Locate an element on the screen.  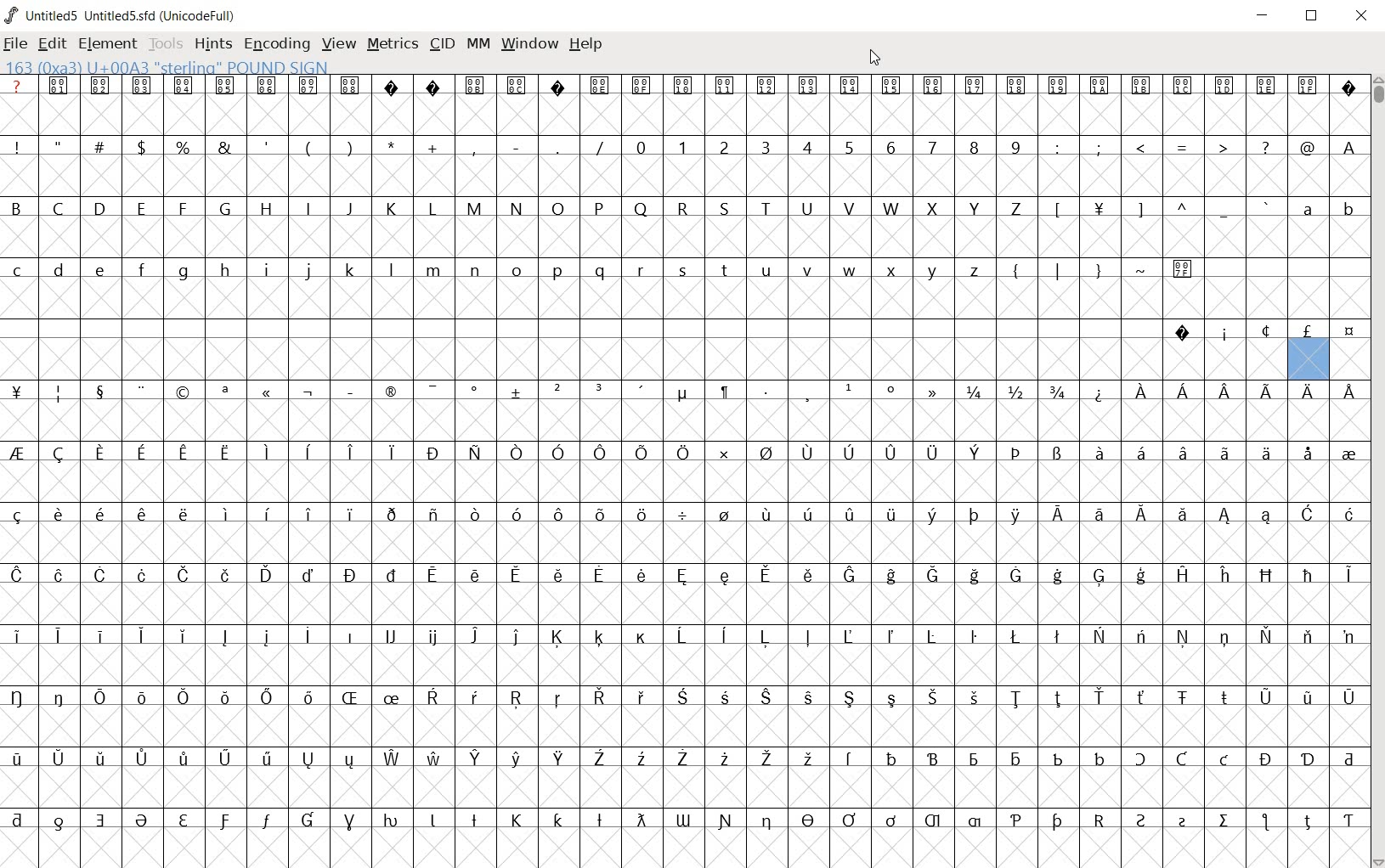
Symbol is located at coordinates (228, 450).